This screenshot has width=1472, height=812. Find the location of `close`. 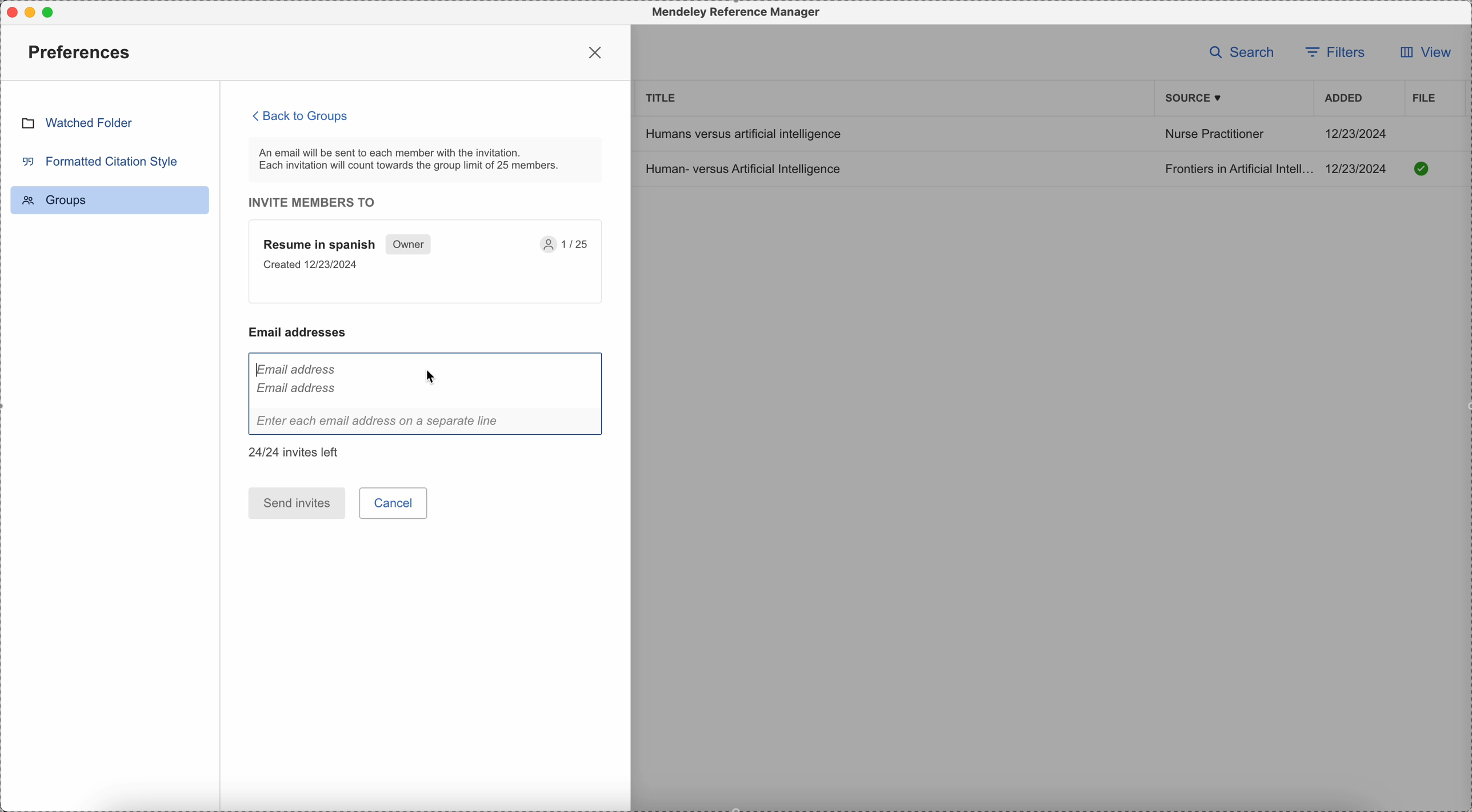

close is located at coordinates (597, 52).